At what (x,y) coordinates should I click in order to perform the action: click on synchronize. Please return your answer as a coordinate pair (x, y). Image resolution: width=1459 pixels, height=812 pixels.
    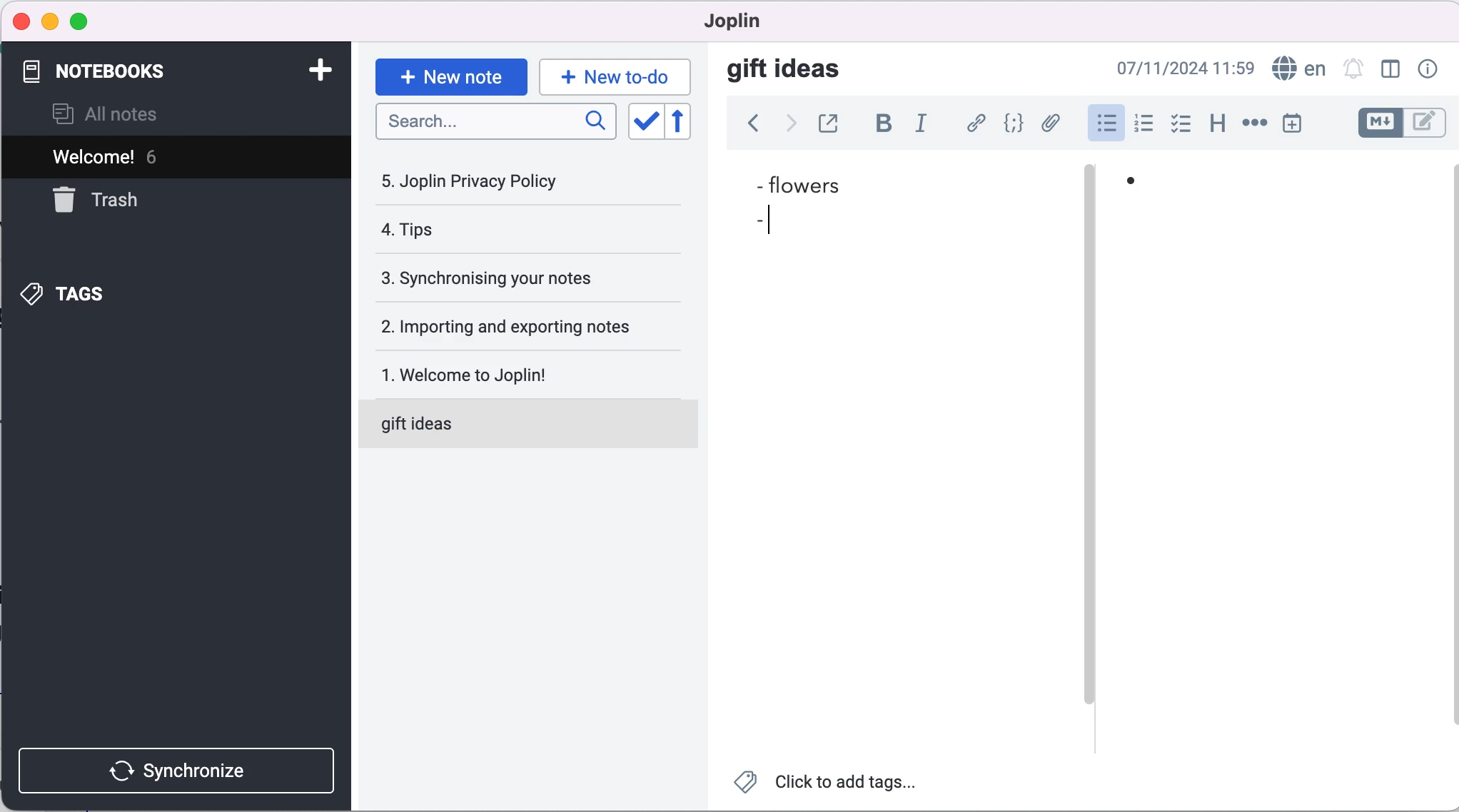
    Looking at the image, I should click on (175, 768).